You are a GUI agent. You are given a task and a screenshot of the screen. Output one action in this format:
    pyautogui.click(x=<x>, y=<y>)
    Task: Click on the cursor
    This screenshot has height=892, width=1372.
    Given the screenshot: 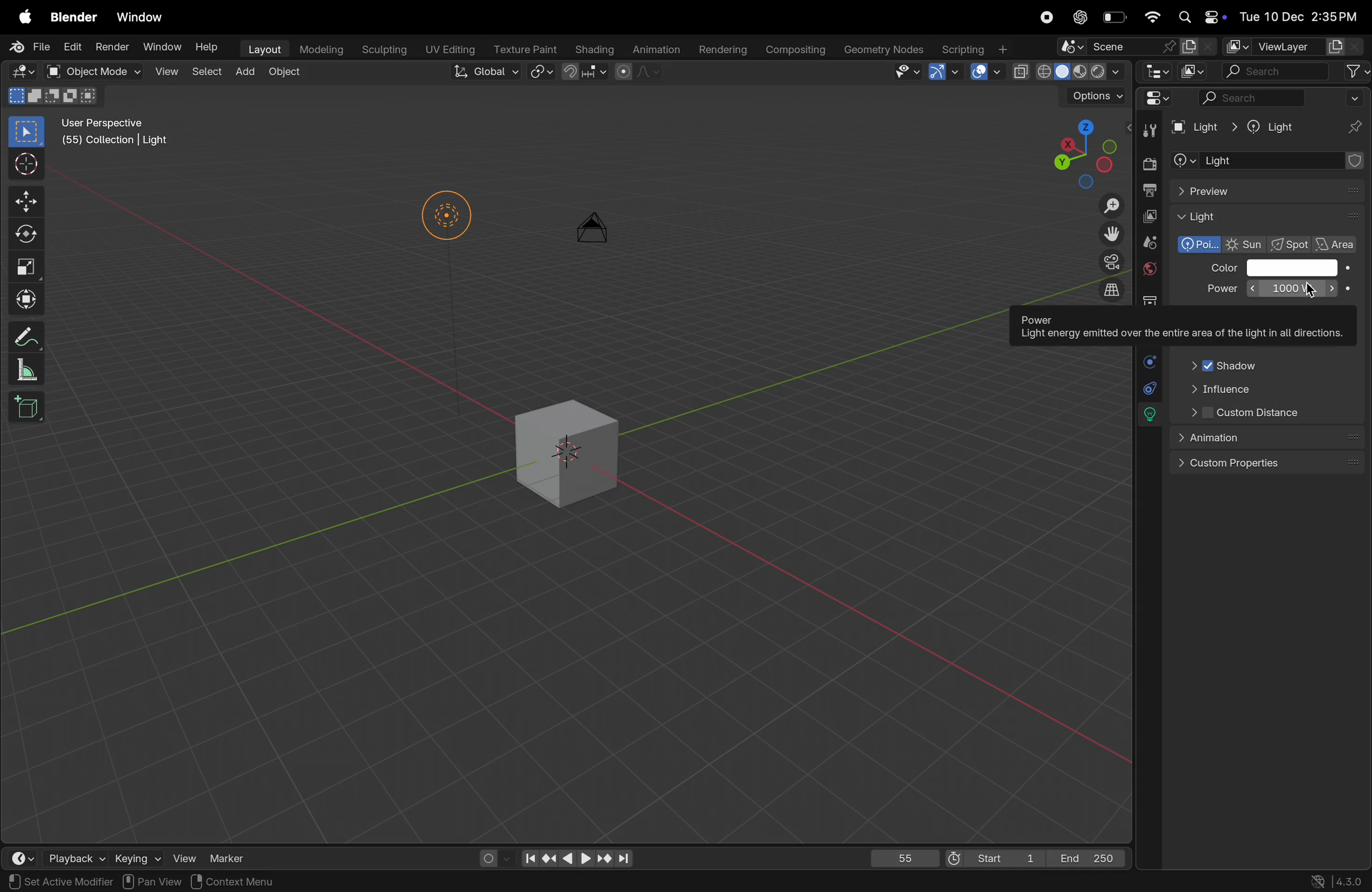 What is the action you would take?
    pyautogui.click(x=27, y=164)
    